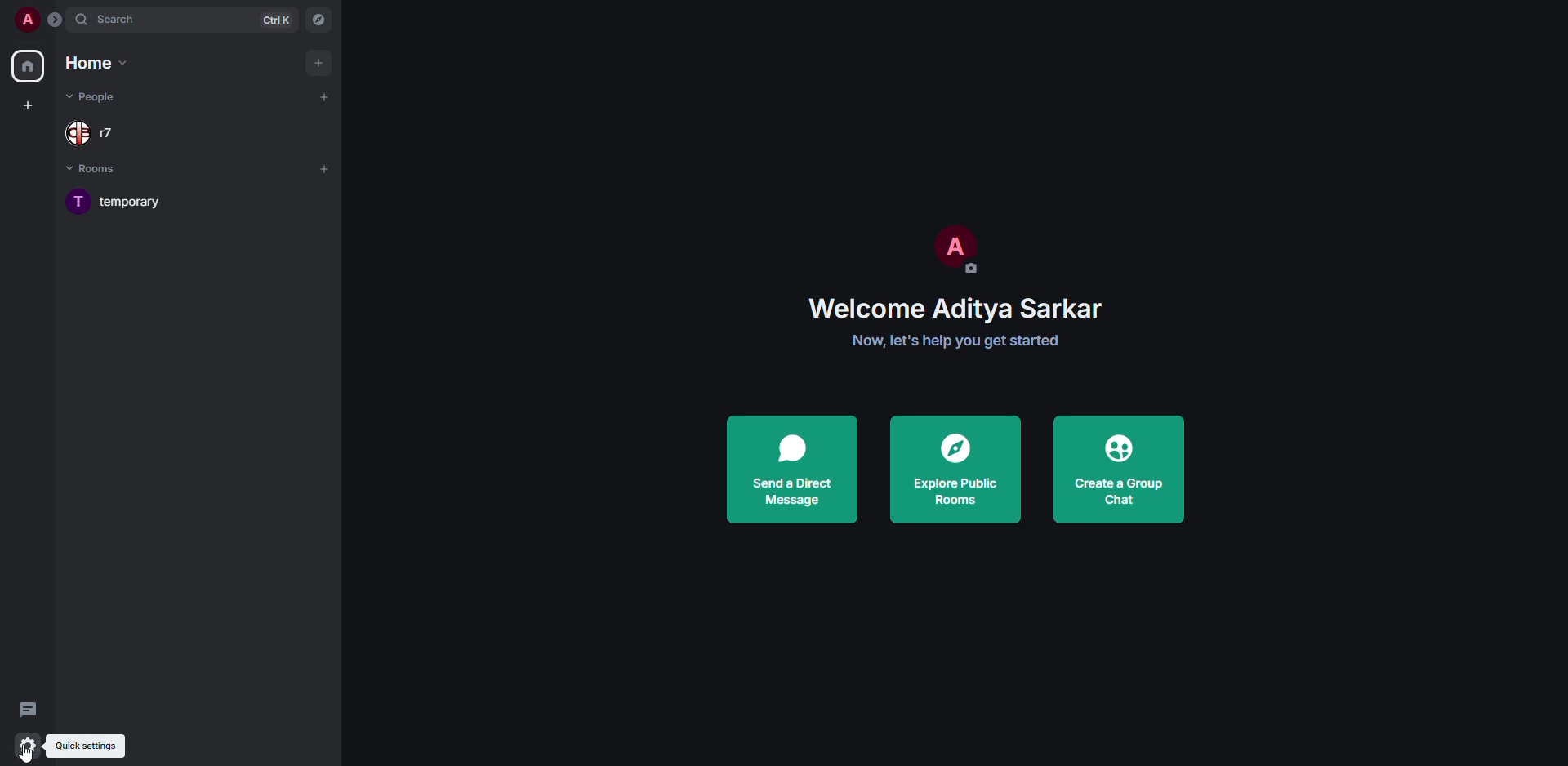 This screenshot has height=766, width=1568. What do you see at coordinates (26, 19) in the screenshot?
I see `profile` at bounding box center [26, 19].